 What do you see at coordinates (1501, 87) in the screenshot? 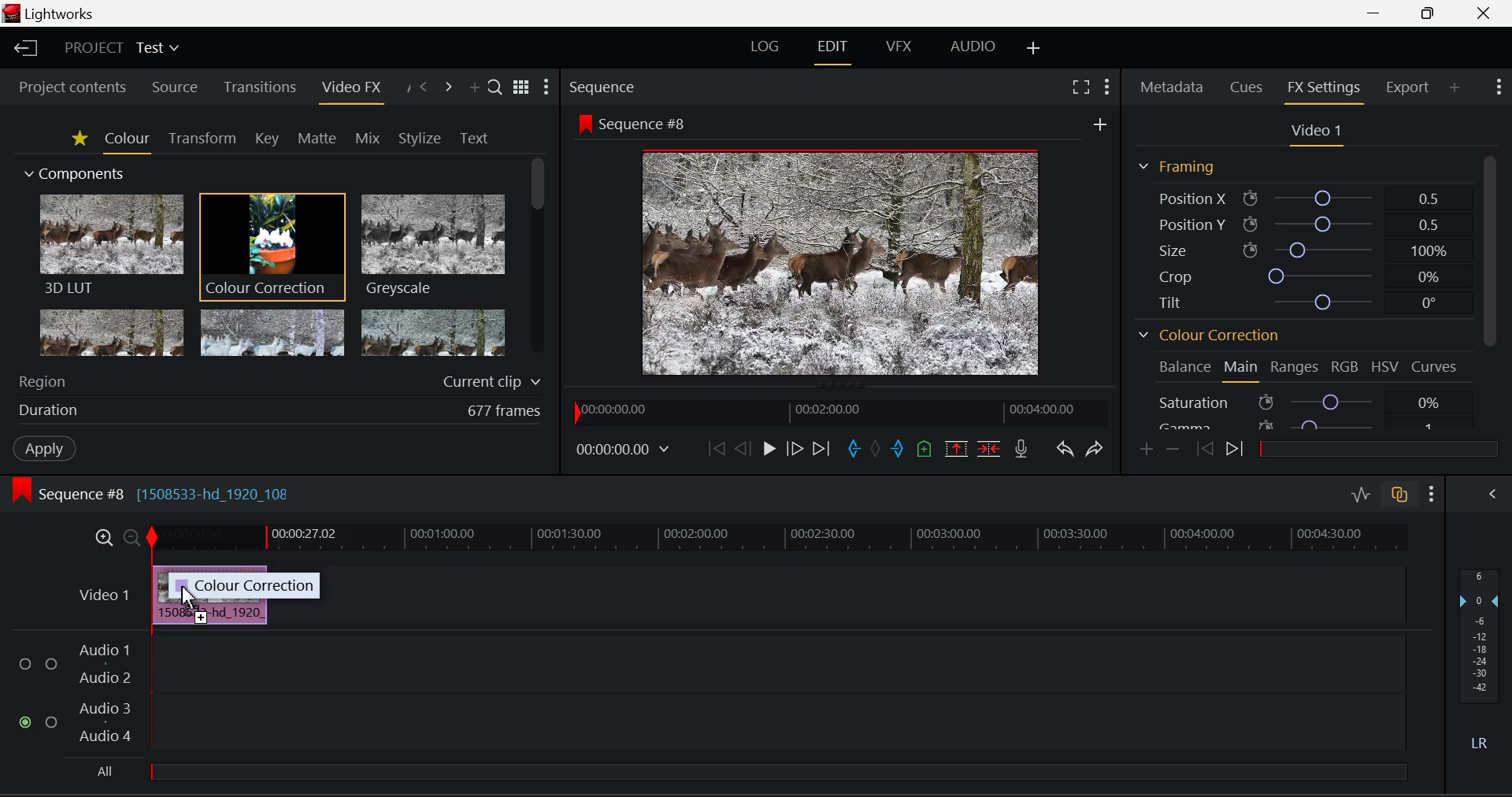
I see `Show Settings` at bounding box center [1501, 87].